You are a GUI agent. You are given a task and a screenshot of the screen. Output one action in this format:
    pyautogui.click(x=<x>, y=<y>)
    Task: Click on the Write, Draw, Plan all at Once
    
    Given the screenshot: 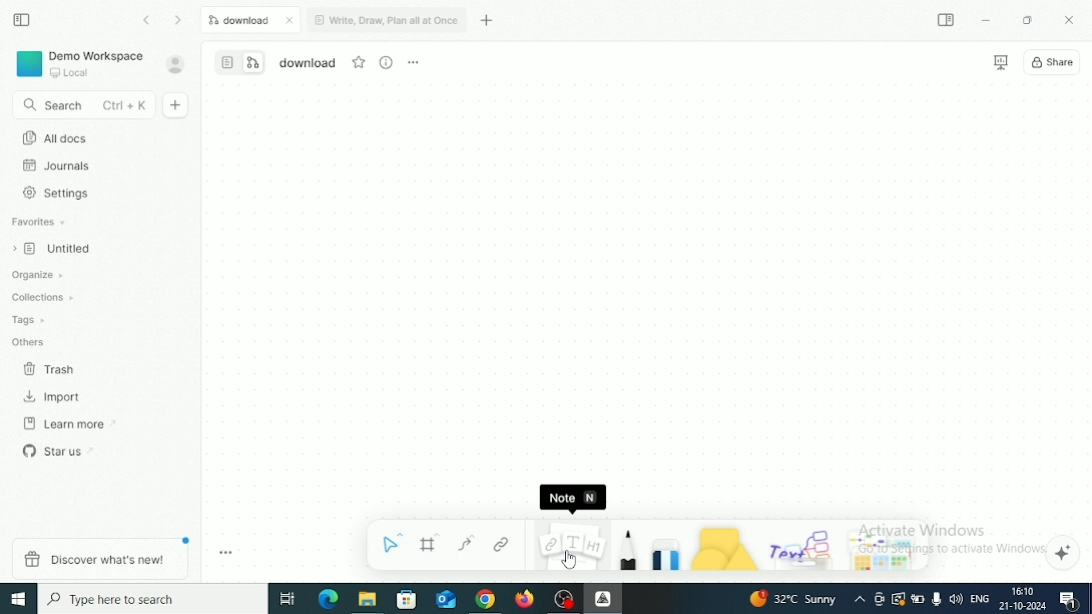 What is the action you would take?
    pyautogui.click(x=386, y=18)
    